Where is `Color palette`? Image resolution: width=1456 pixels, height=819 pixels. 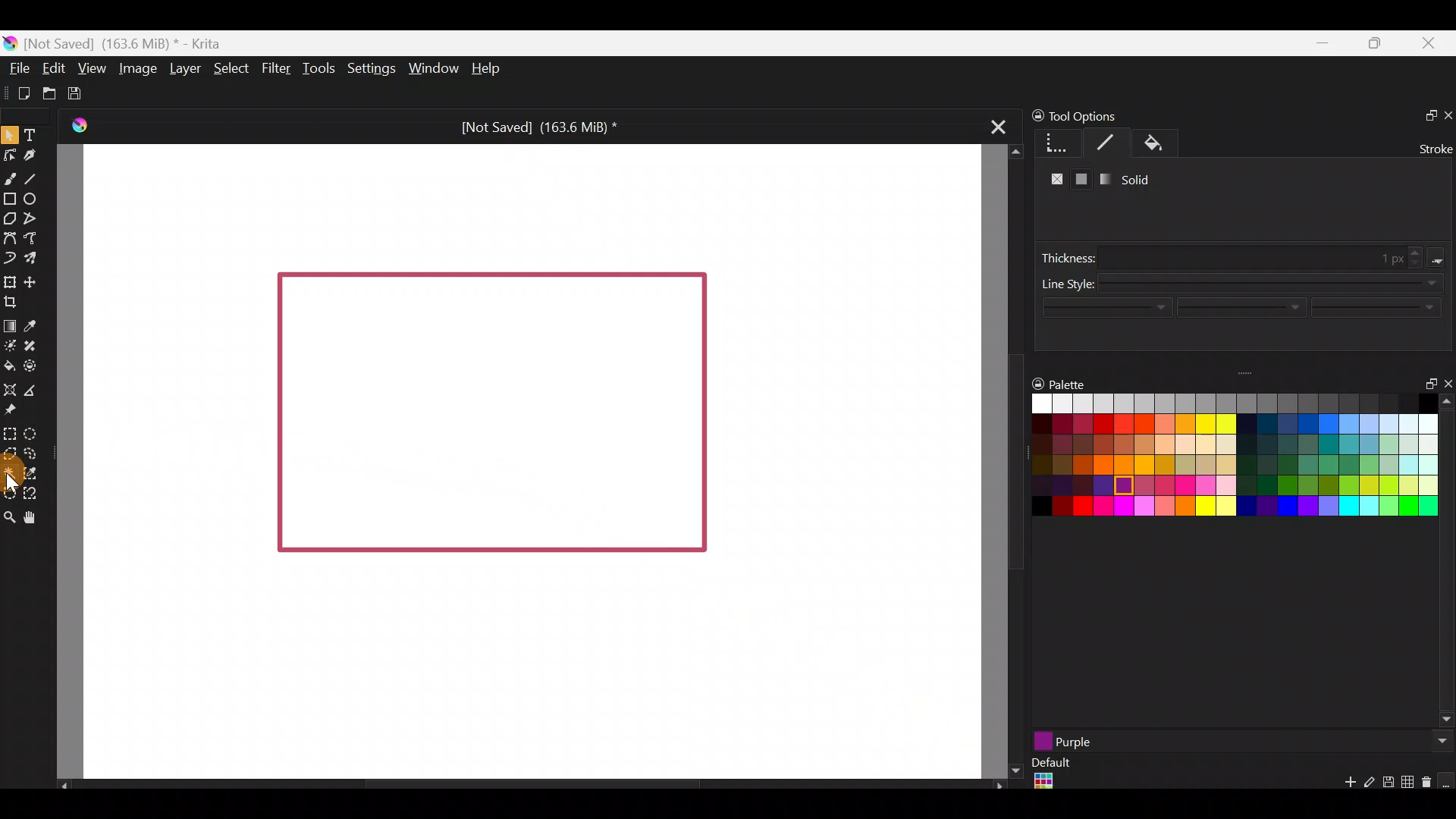 Color palette is located at coordinates (1220, 460).